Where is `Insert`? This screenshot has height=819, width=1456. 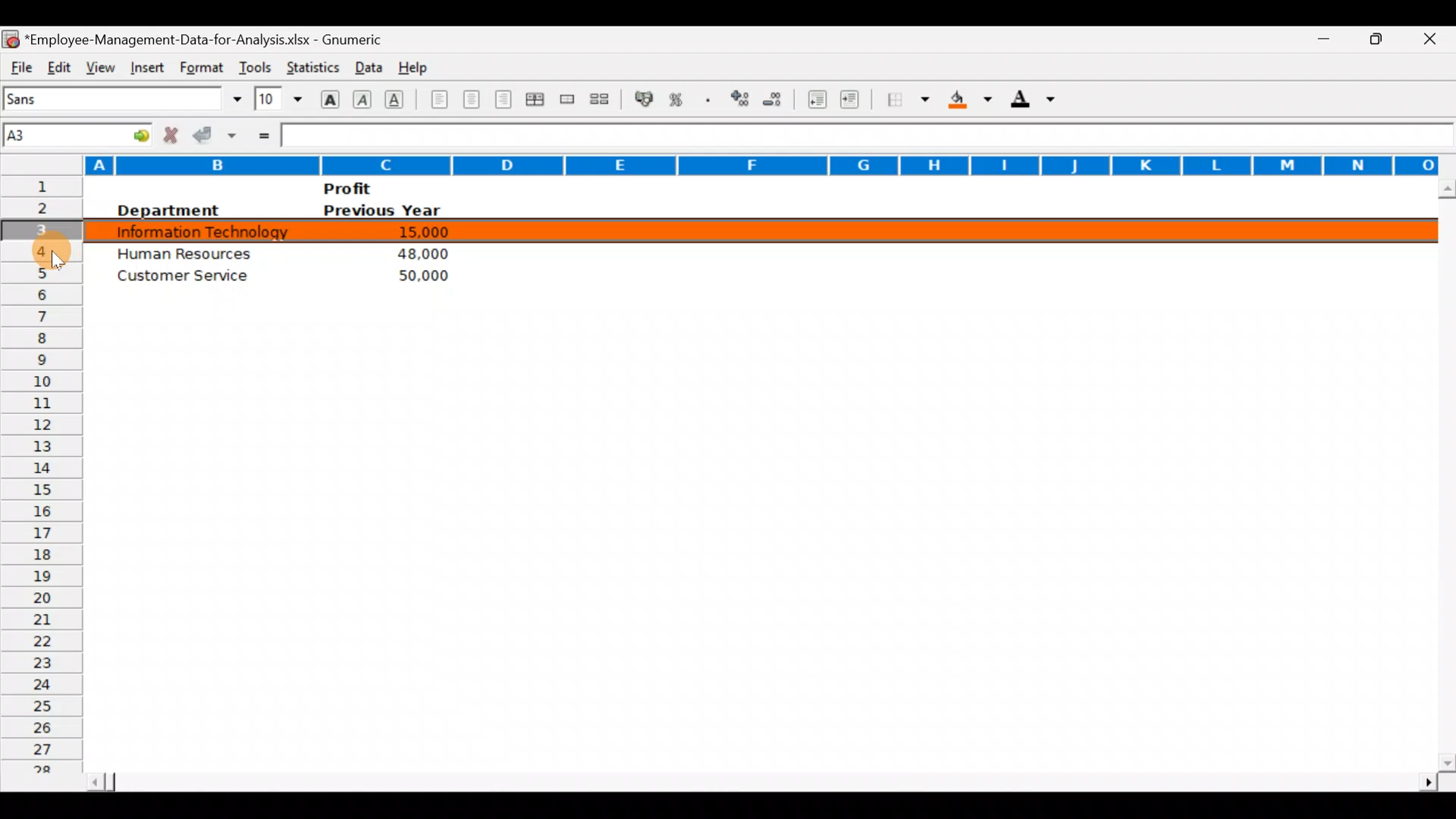 Insert is located at coordinates (145, 65).